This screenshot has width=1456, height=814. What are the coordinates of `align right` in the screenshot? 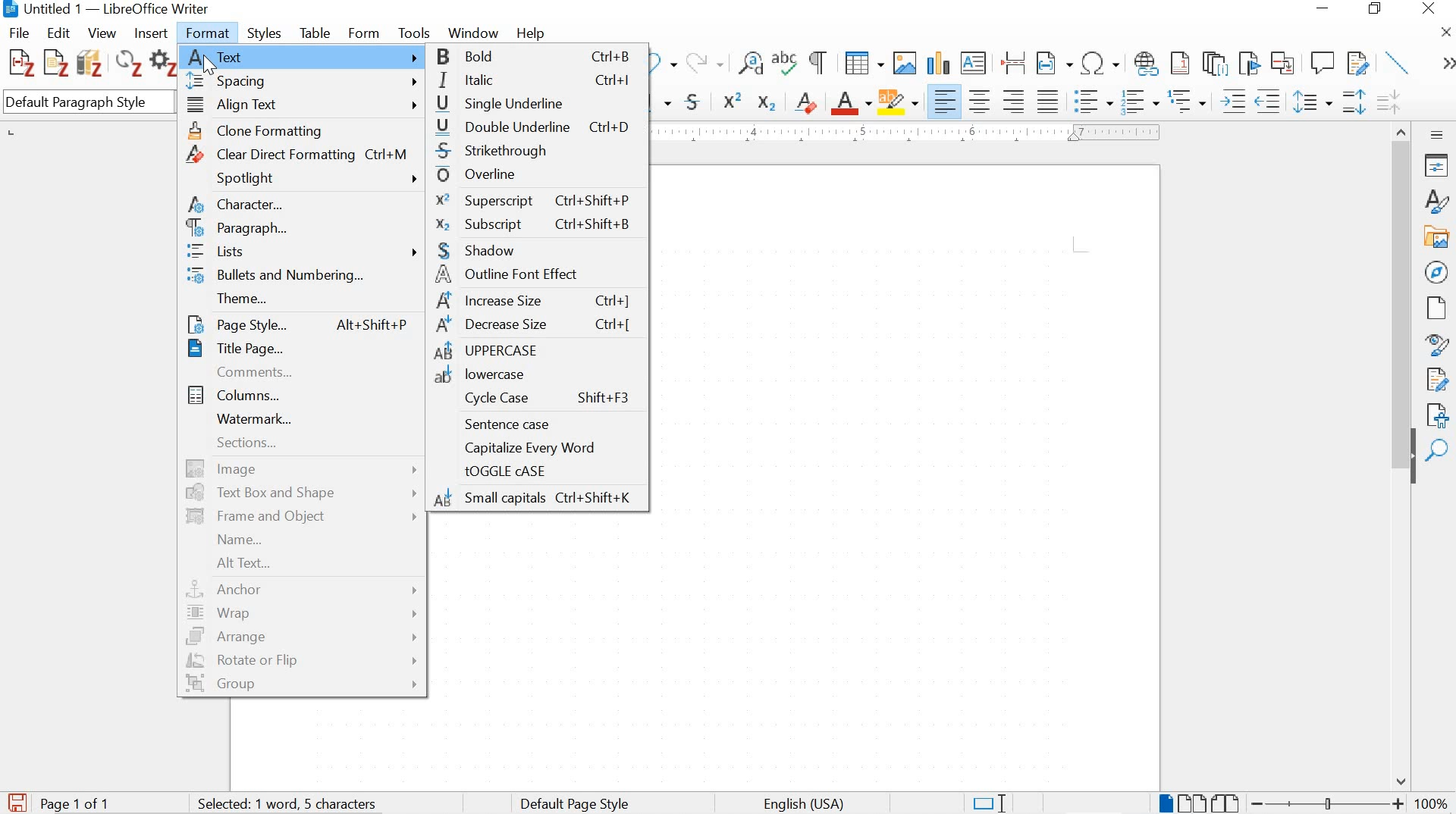 It's located at (1016, 101).